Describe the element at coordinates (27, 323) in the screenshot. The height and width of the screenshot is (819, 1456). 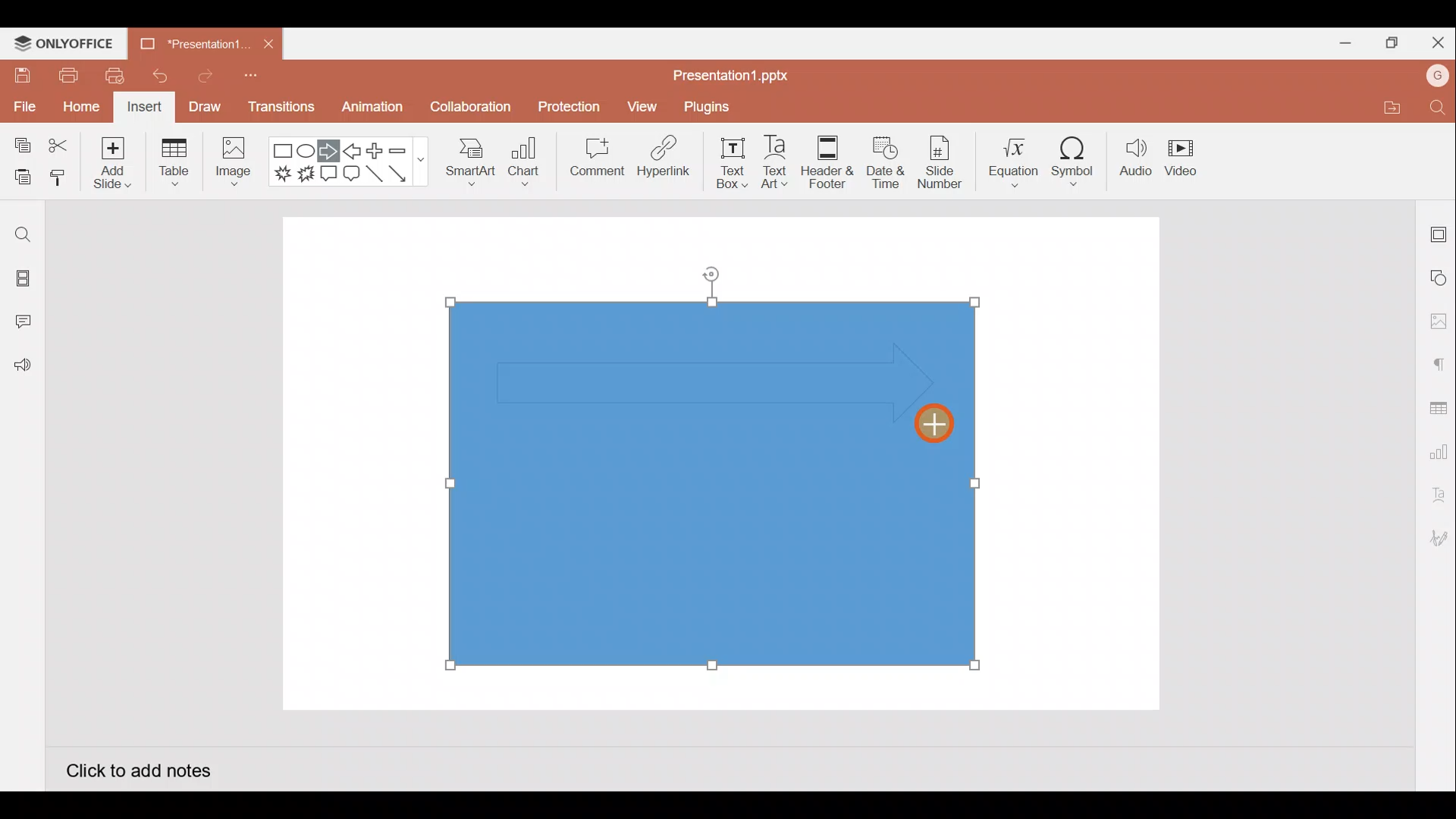
I see `Comments` at that location.